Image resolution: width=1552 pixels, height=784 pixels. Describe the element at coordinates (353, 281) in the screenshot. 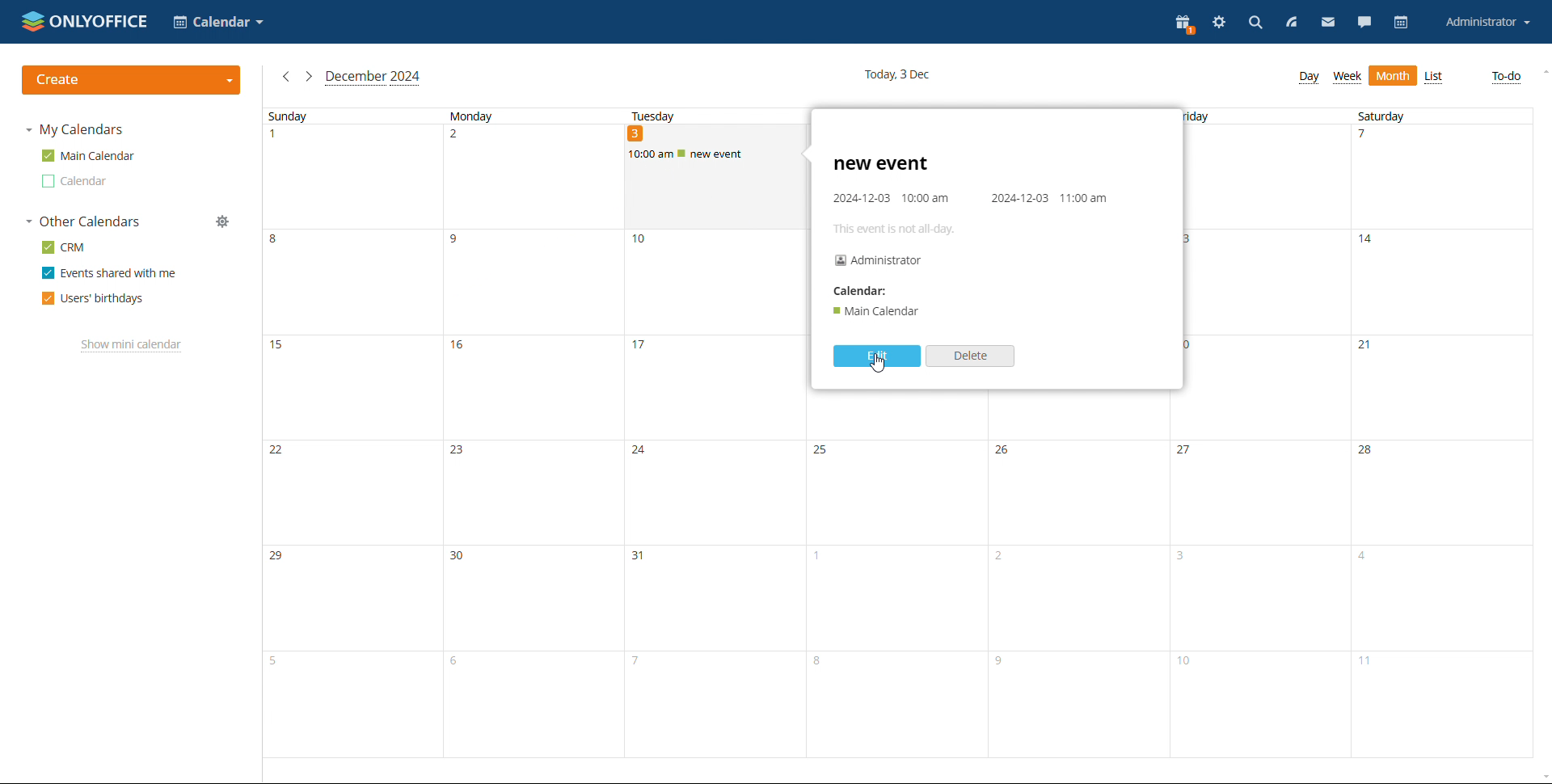

I see `8` at that location.